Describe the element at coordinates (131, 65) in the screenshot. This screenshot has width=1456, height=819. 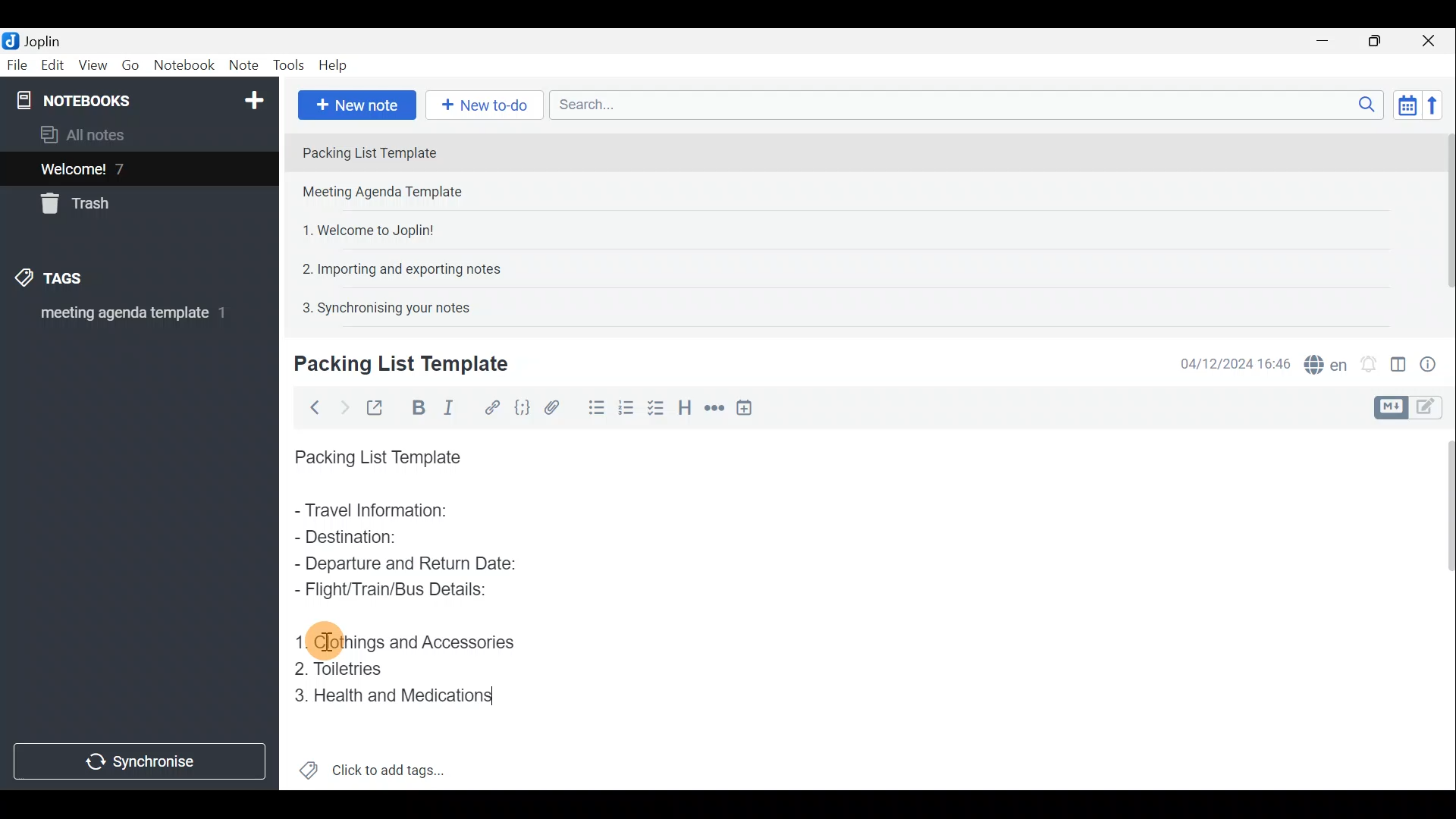
I see `Go` at that location.